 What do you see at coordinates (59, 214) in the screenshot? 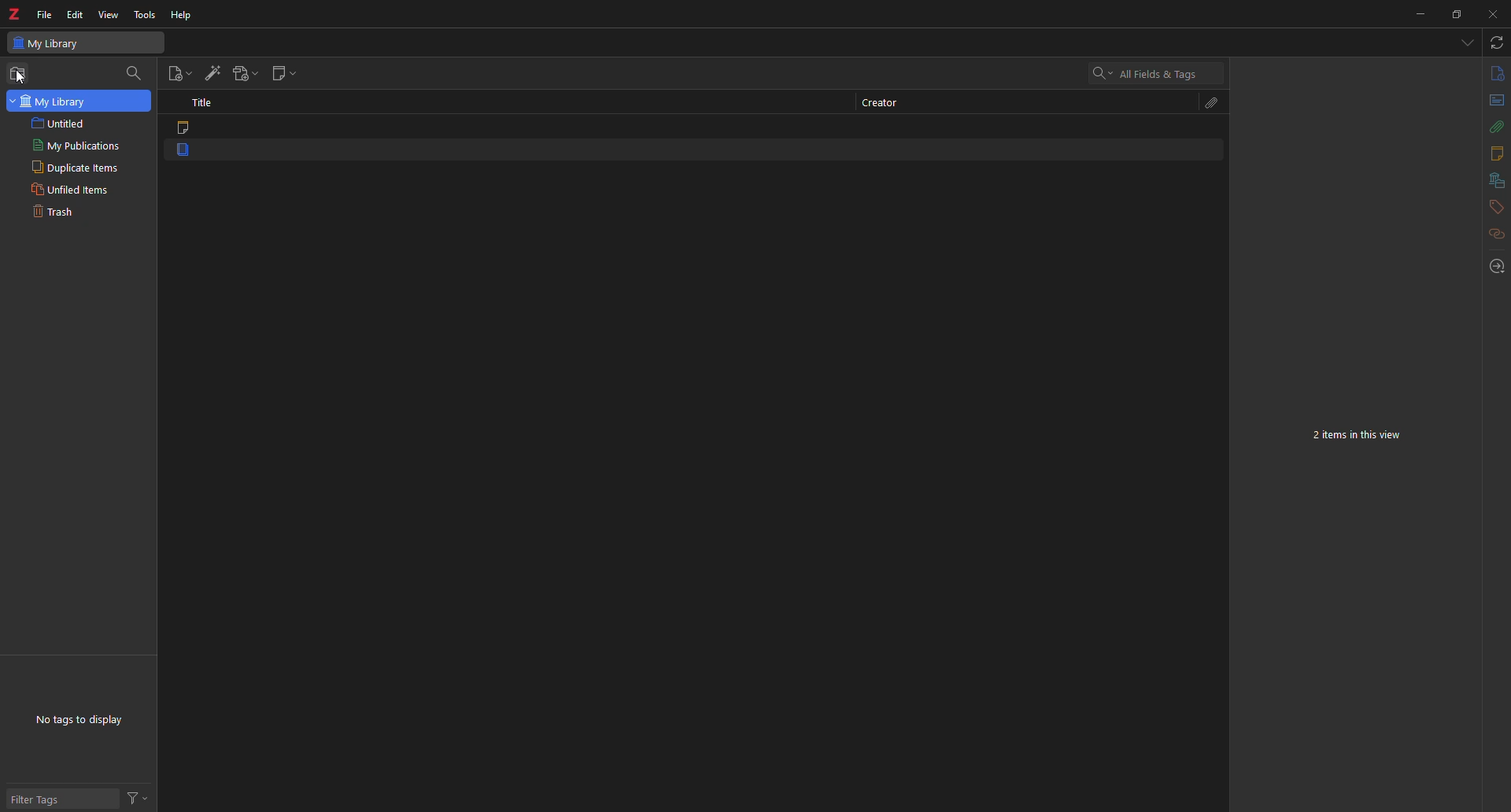
I see `trash` at bounding box center [59, 214].